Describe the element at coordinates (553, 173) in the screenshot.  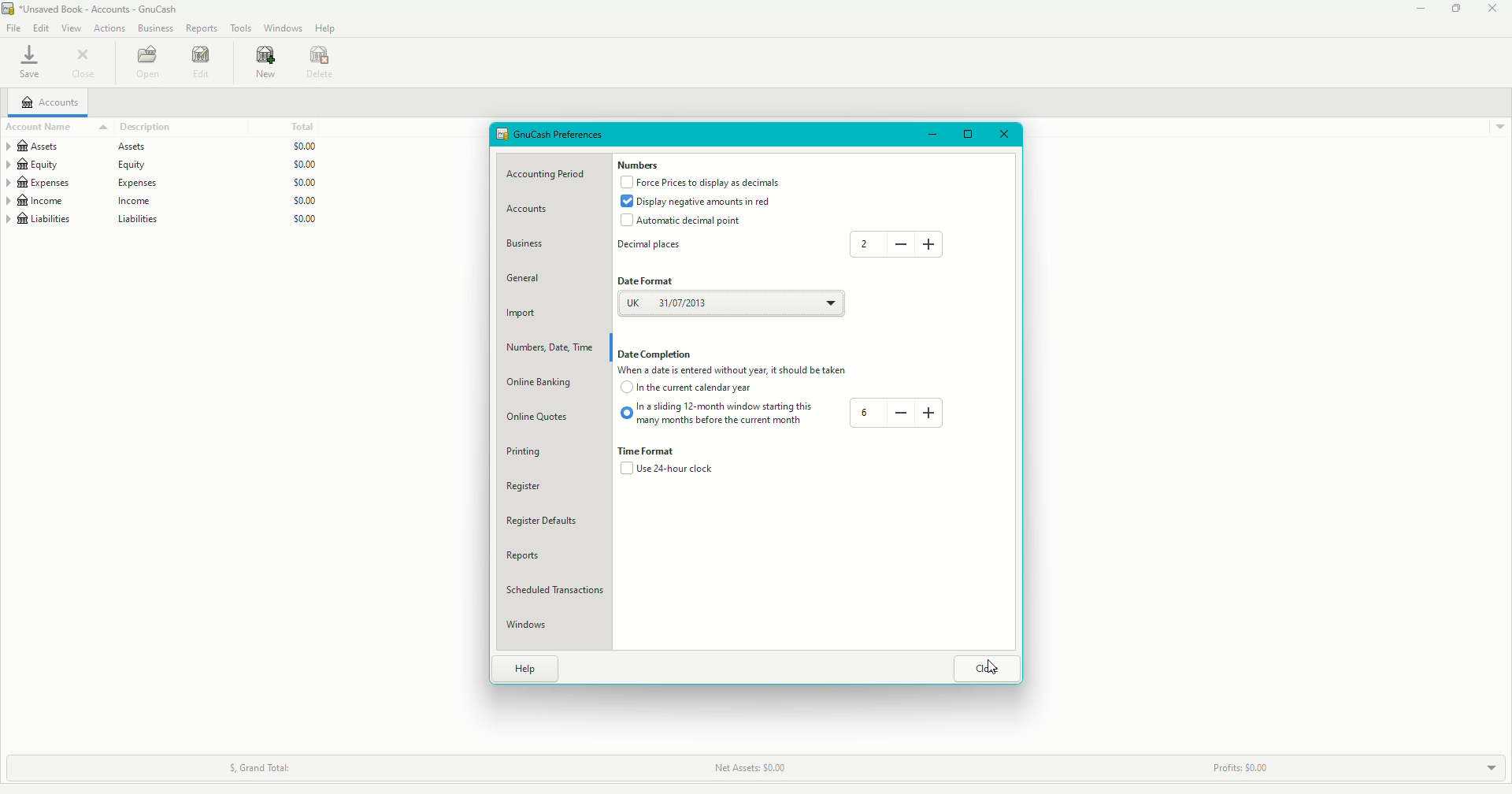
I see `Accounting Period` at that location.